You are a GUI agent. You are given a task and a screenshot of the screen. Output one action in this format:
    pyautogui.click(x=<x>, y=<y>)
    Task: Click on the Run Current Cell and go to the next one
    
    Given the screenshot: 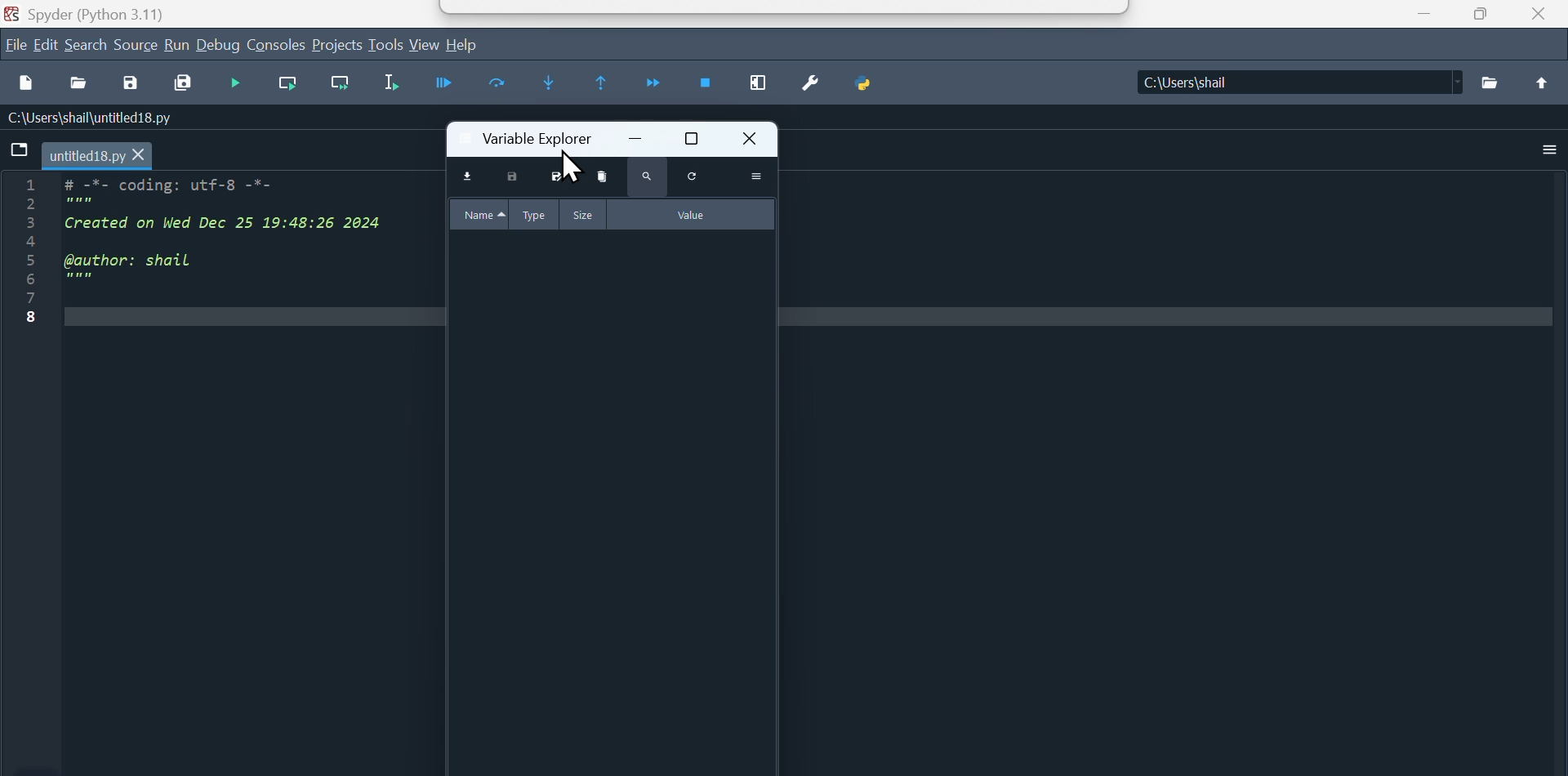 What is the action you would take?
    pyautogui.click(x=343, y=87)
    